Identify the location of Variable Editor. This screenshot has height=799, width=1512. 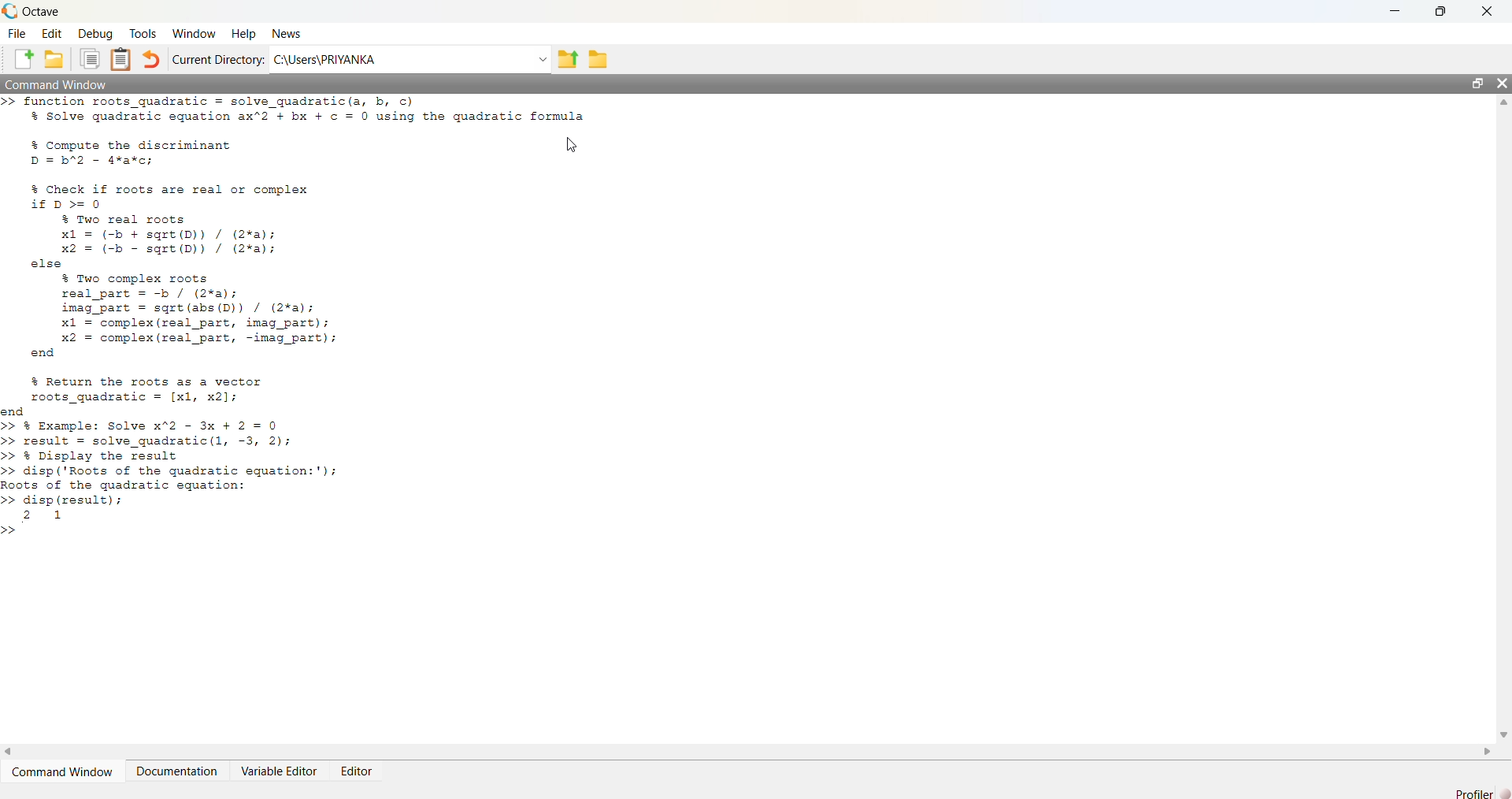
(282, 770).